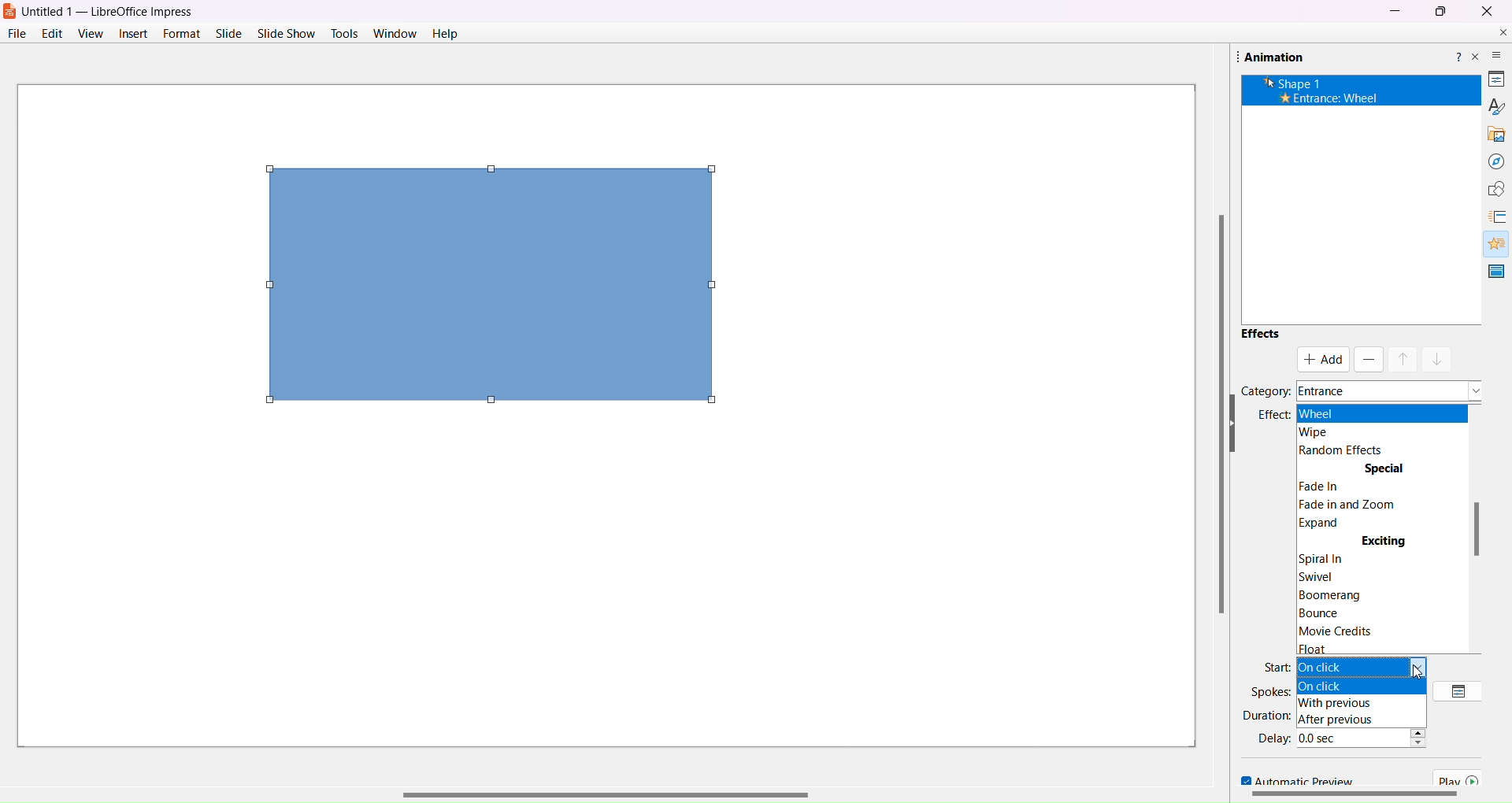 The height and width of the screenshot is (803, 1512). What do you see at coordinates (1394, 10) in the screenshot?
I see `Minimize` at bounding box center [1394, 10].